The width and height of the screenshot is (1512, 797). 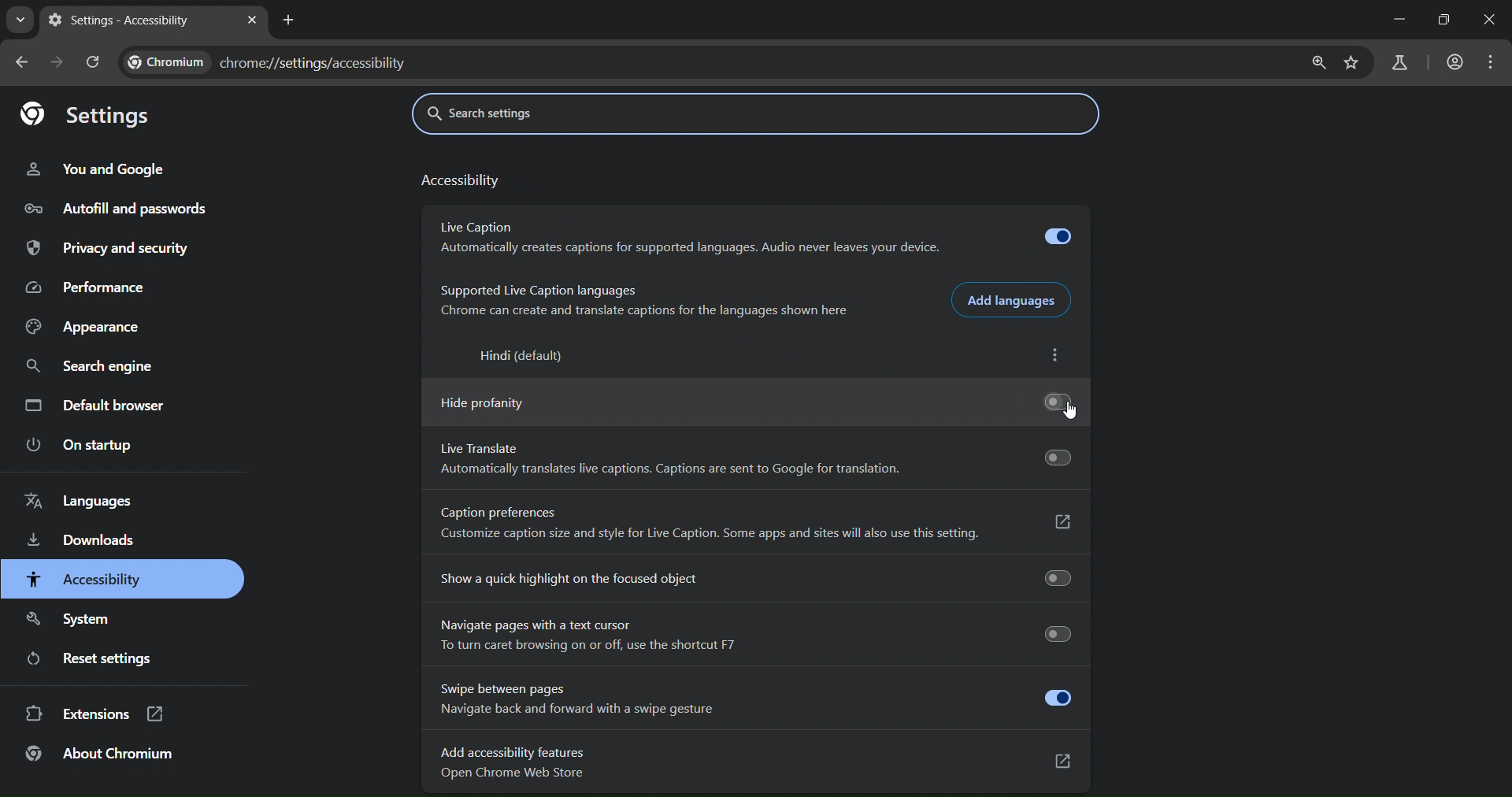 What do you see at coordinates (544, 113) in the screenshot?
I see `search settings` at bounding box center [544, 113].